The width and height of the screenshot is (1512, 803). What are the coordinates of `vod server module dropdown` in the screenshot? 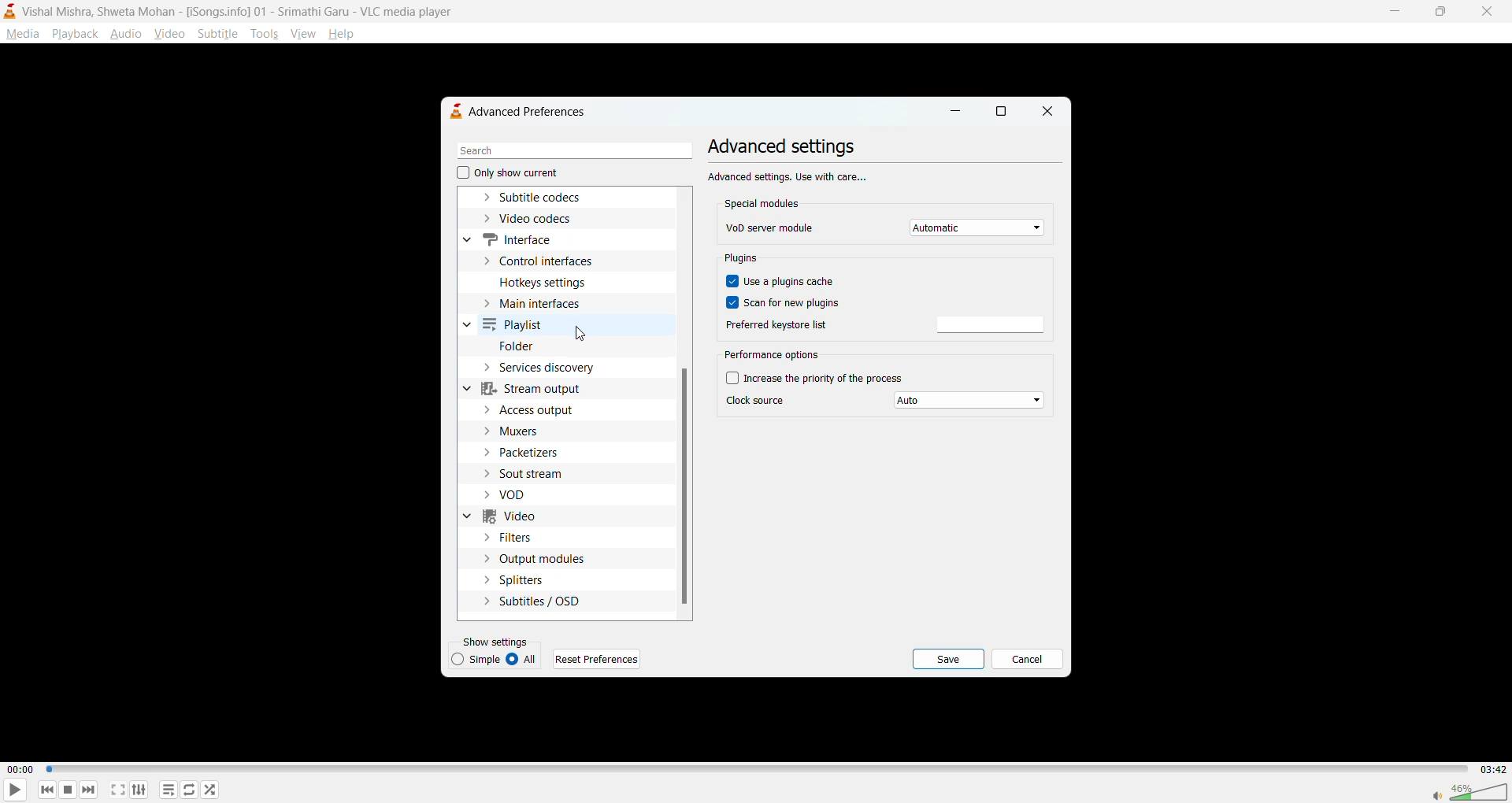 It's located at (979, 228).